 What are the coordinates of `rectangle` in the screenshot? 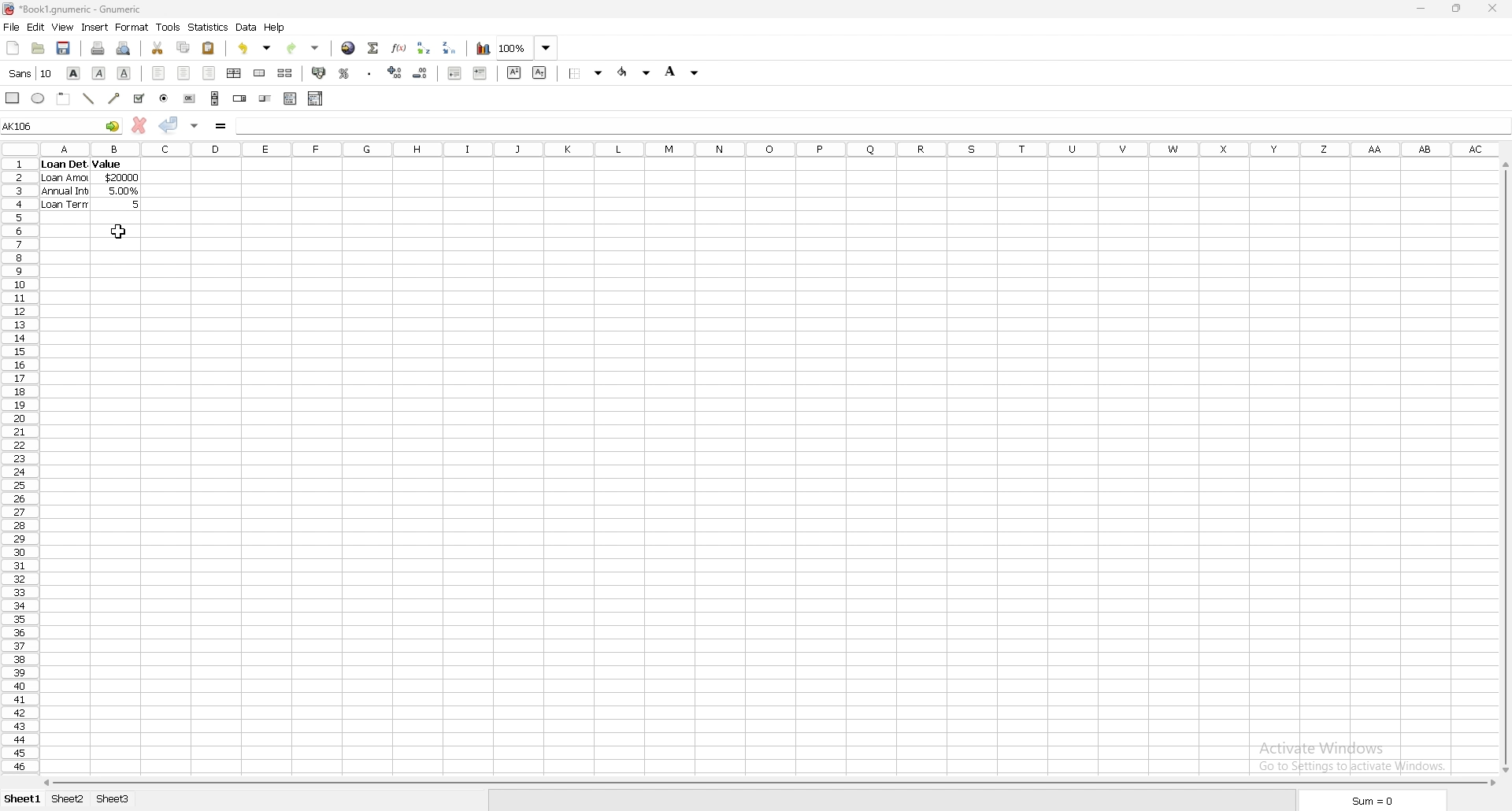 It's located at (13, 97).